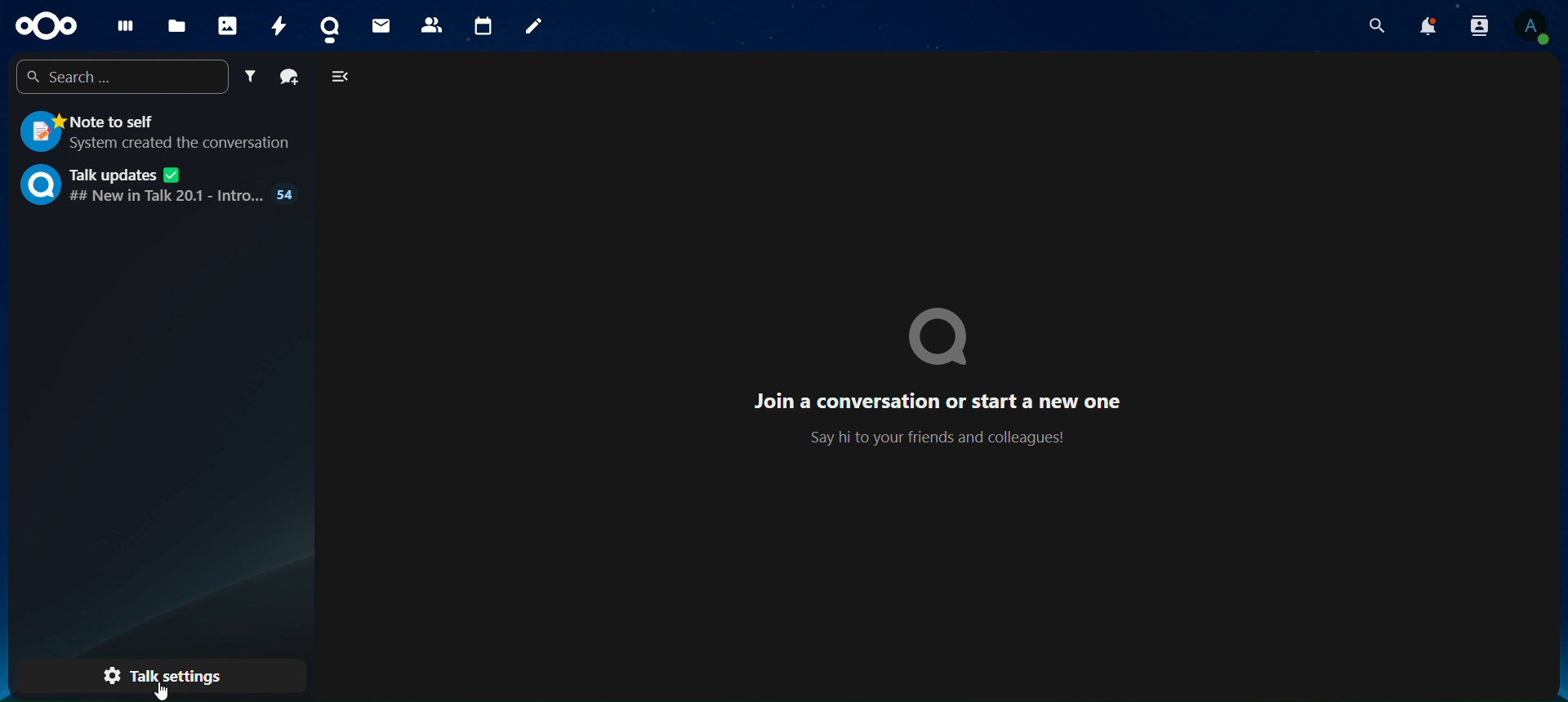 This screenshot has width=1568, height=702. Describe the element at coordinates (176, 26) in the screenshot. I see `files` at that location.